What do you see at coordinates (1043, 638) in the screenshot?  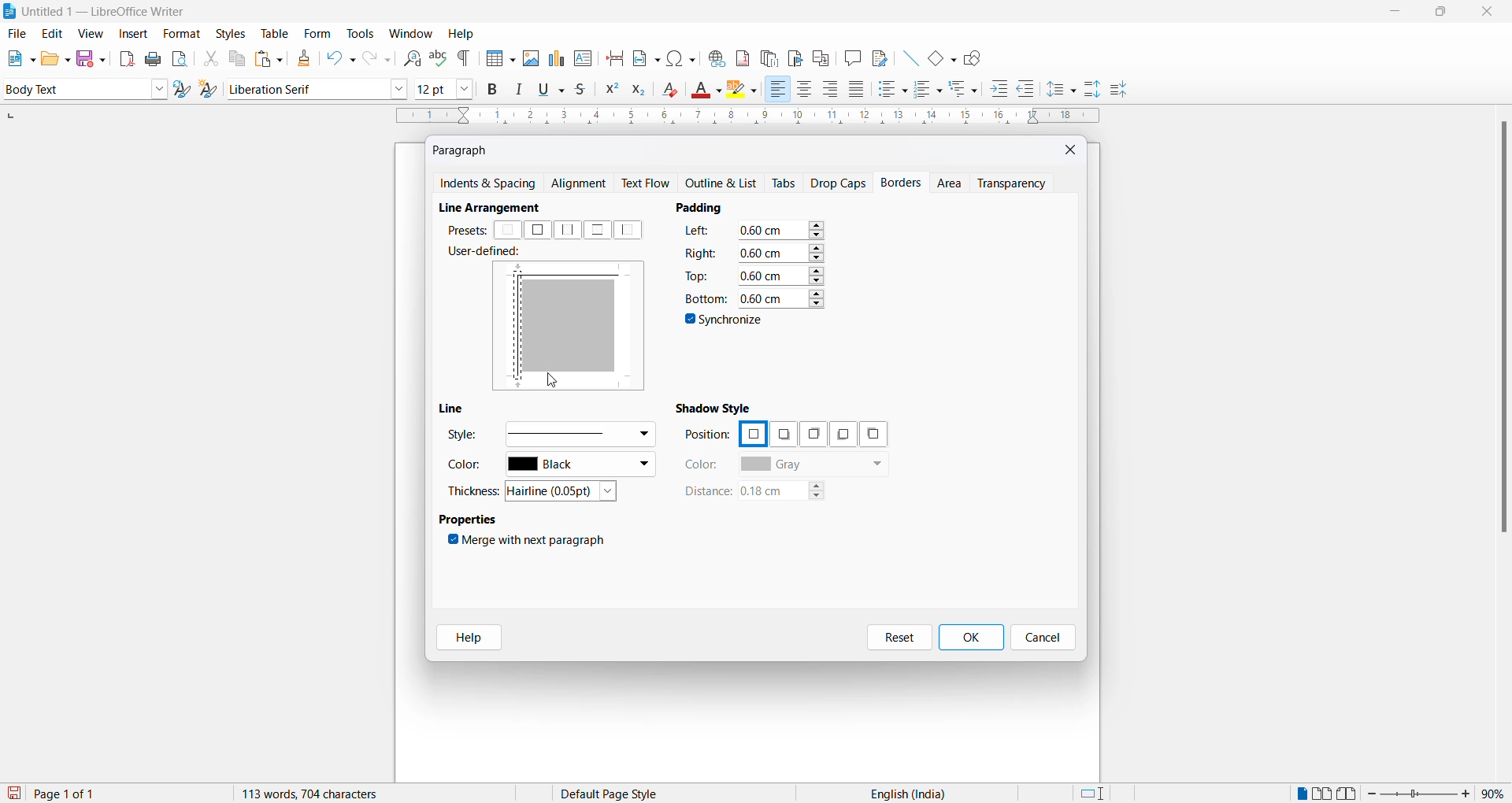 I see `cancel` at bounding box center [1043, 638].